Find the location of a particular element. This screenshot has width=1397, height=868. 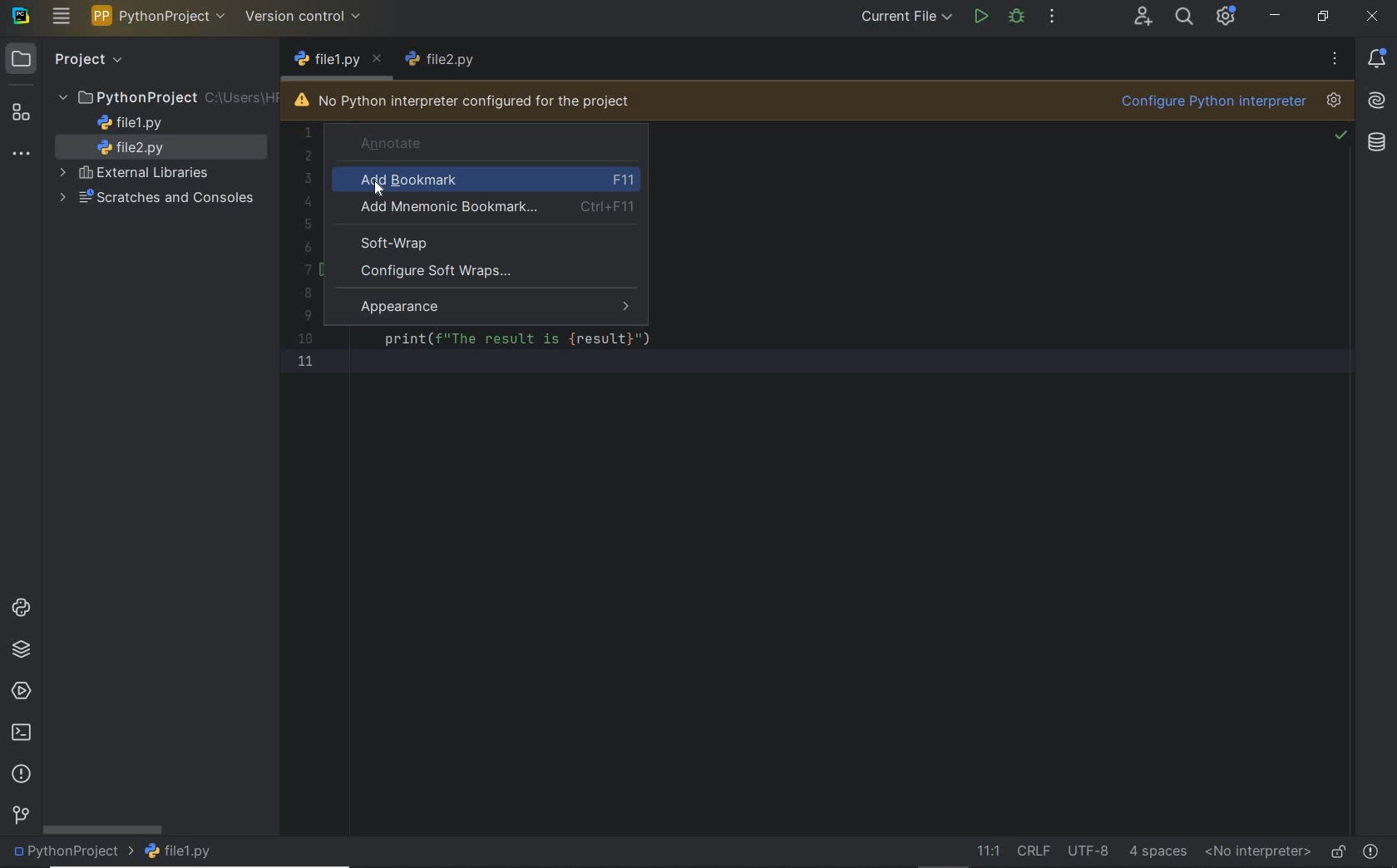

annotate is located at coordinates (462, 143).